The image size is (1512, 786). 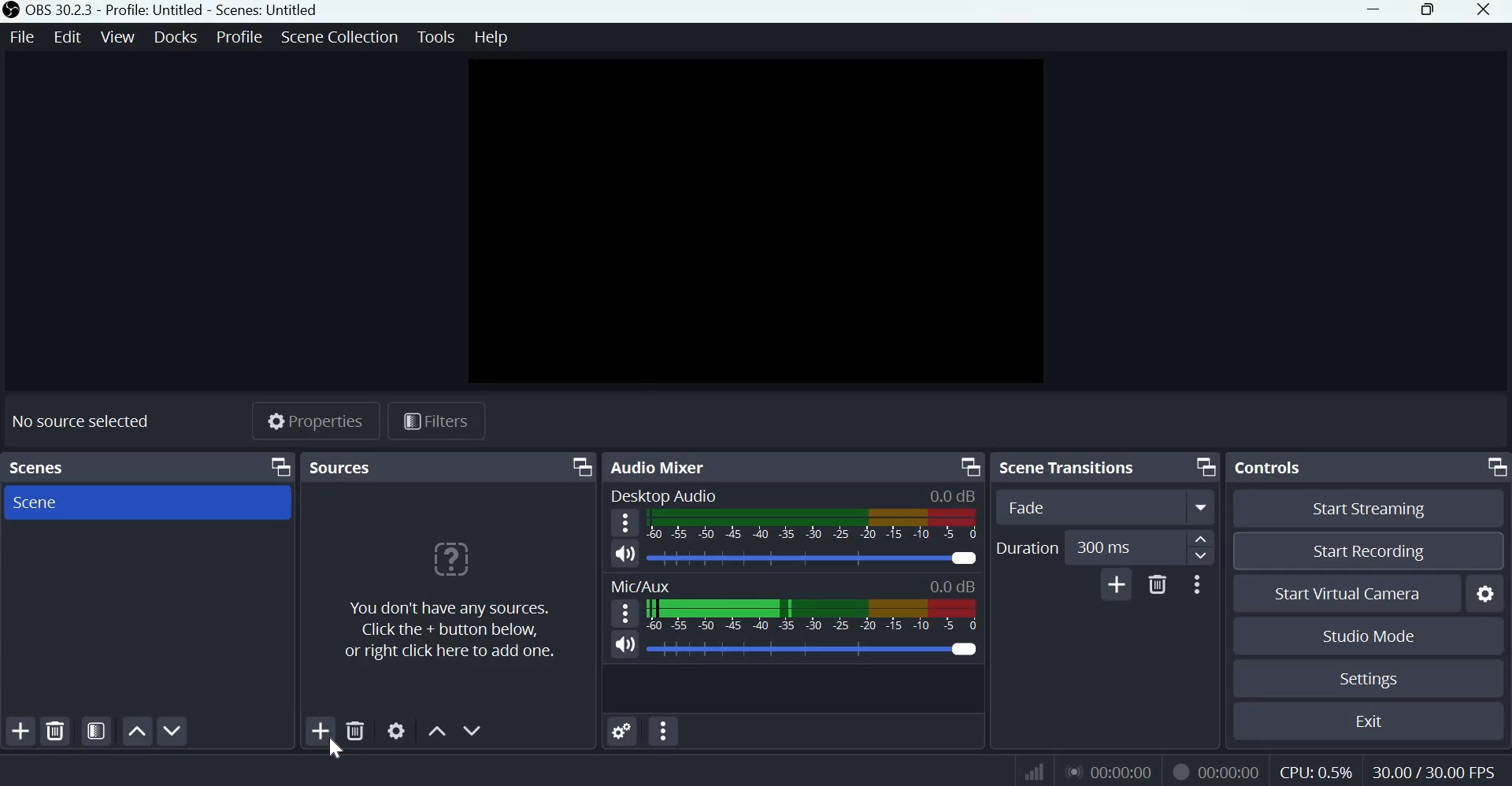 I want to click on Audio Mixer Menu, so click(x=665, y=732).